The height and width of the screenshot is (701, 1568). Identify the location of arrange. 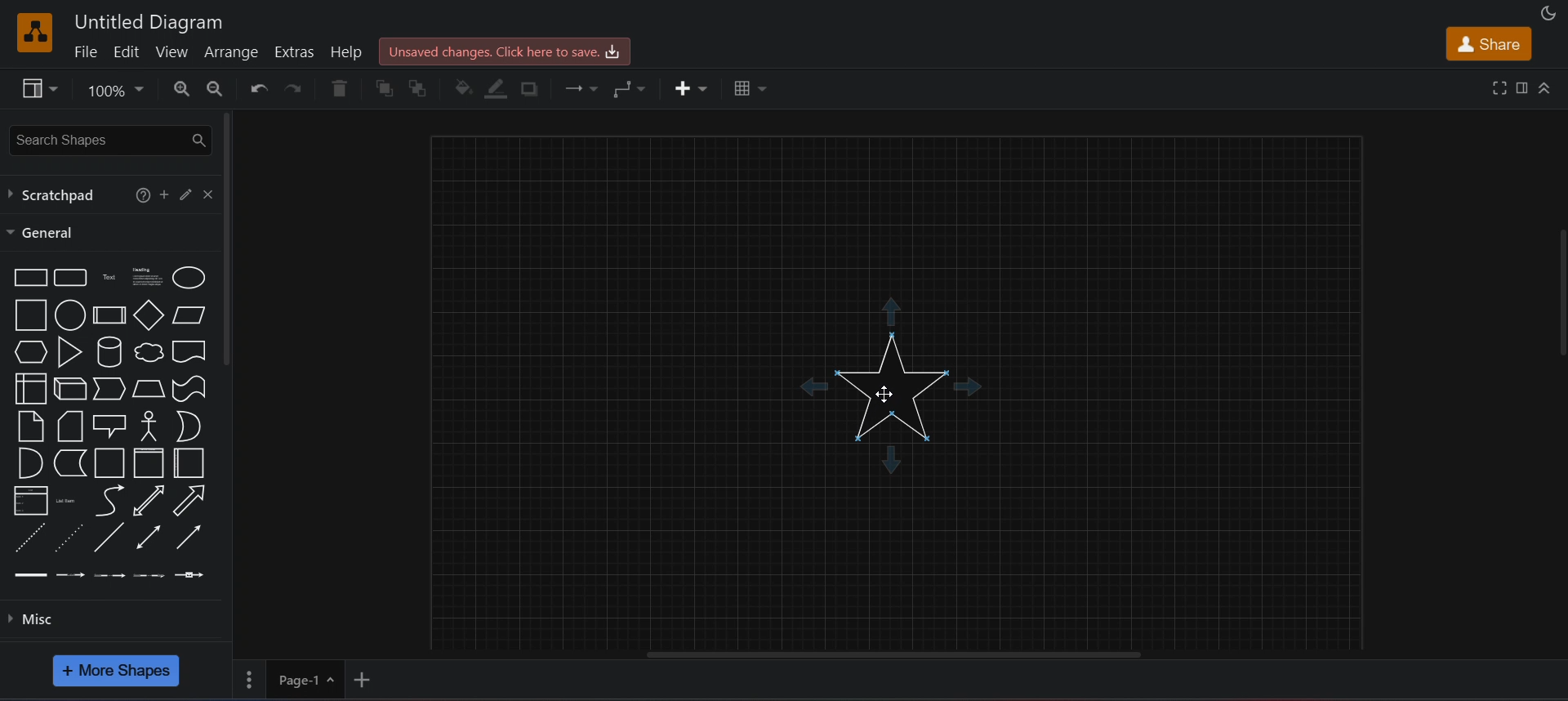
(233, 51).